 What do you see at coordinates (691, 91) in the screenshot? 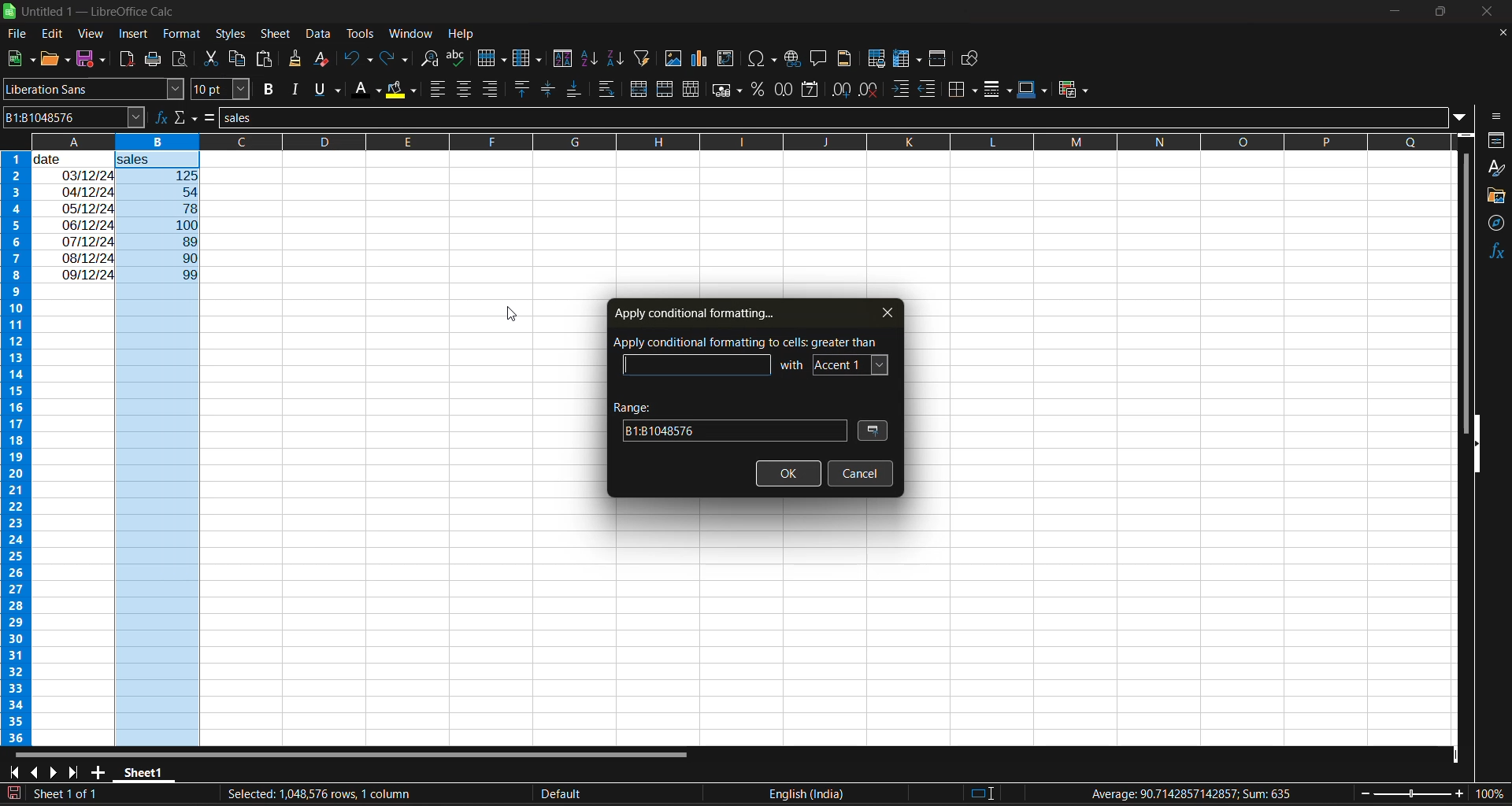
I see `unmerge cells` at bounding box center [691, 91].